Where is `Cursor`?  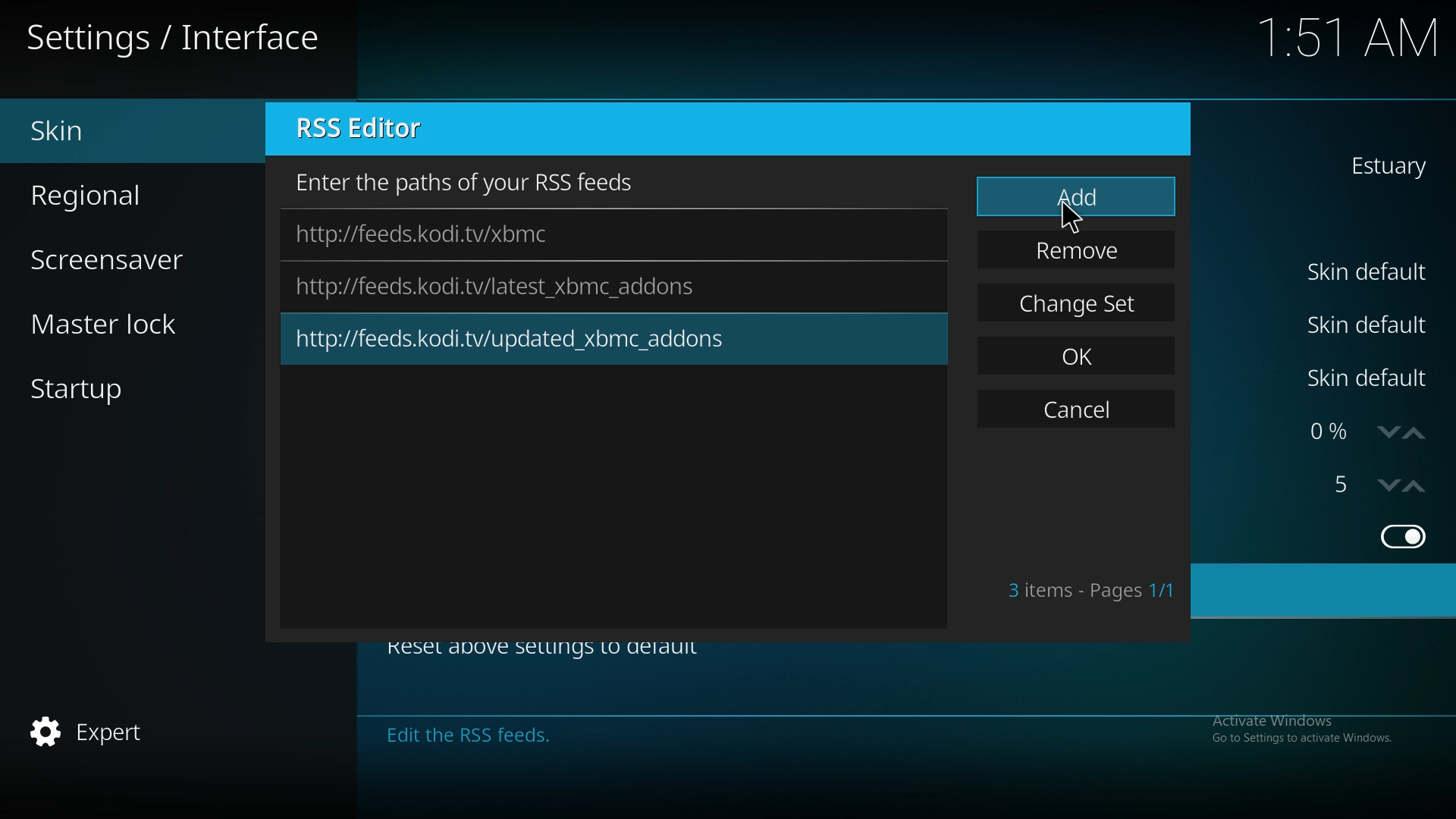
Cursor is located at coordinates (1072, 224).